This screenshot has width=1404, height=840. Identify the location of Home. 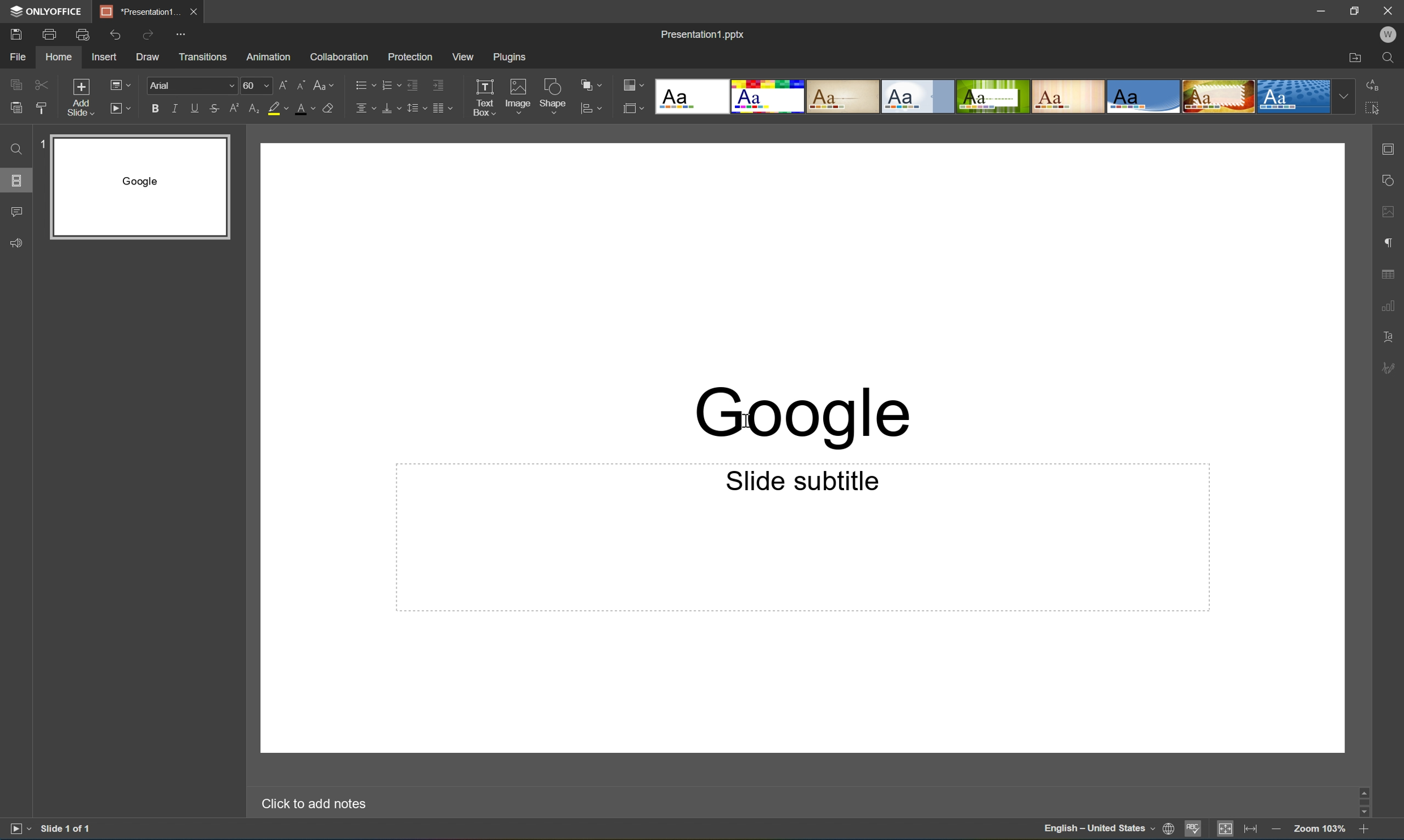
(61, 57).